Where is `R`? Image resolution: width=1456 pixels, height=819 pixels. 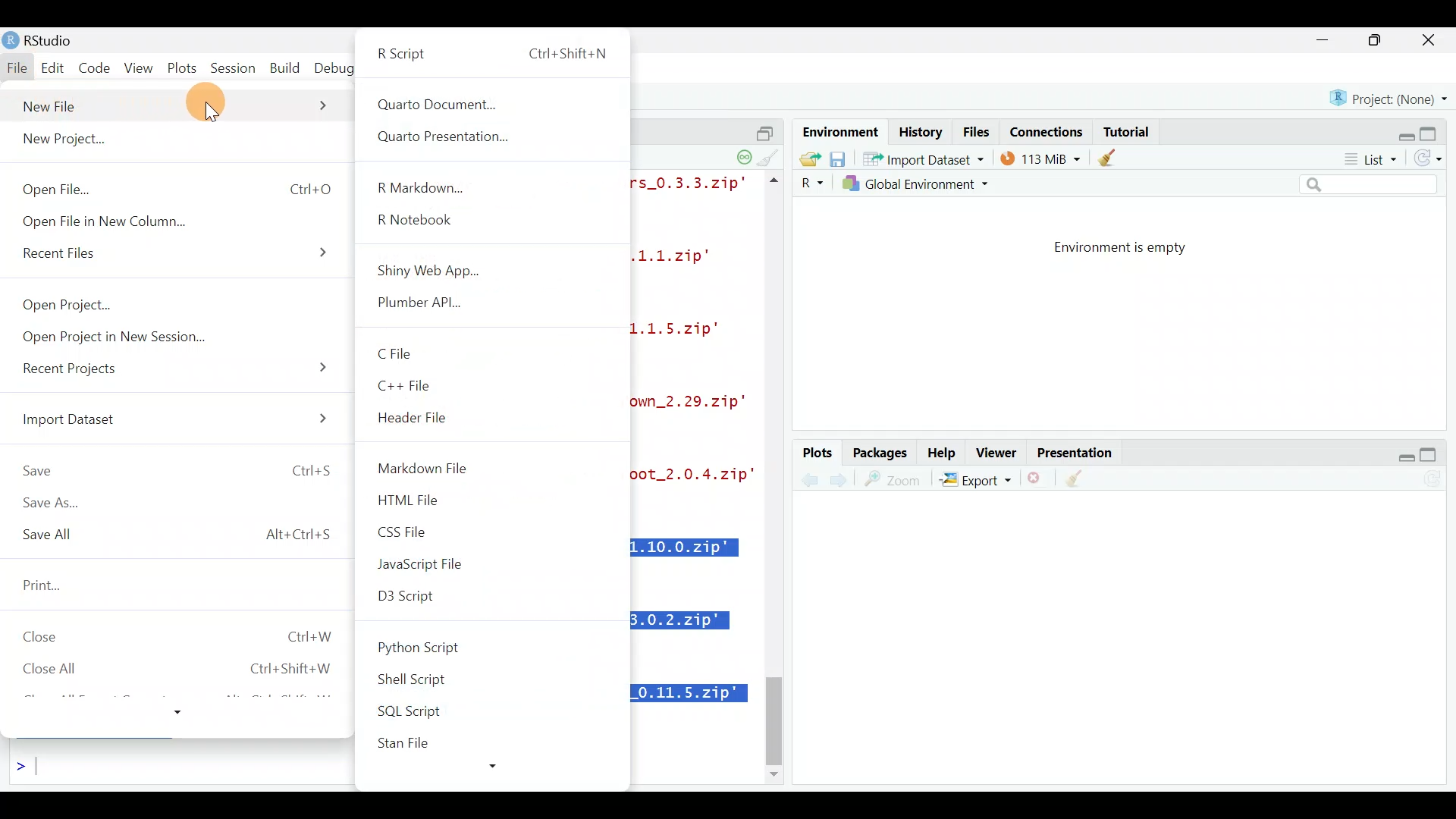
R is located at coordinates (810, 184).